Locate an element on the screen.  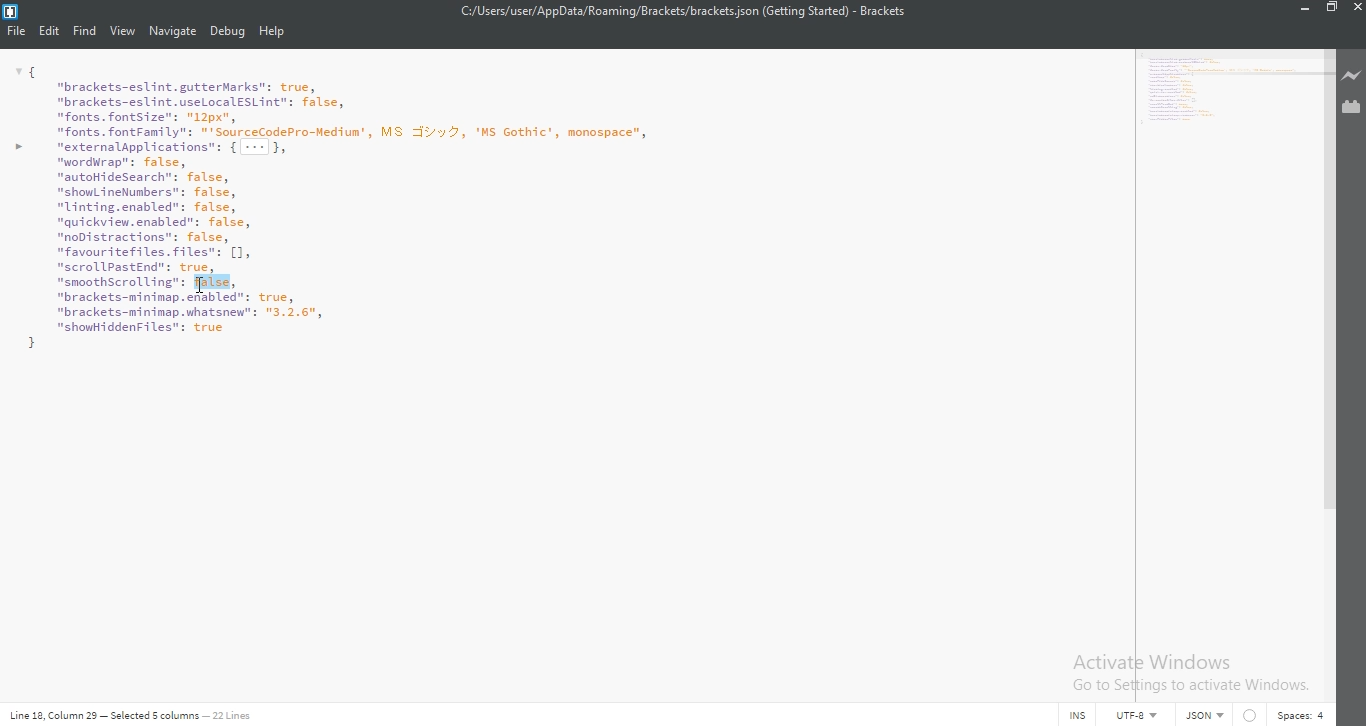
Close is located at coordinates (1357, 8).